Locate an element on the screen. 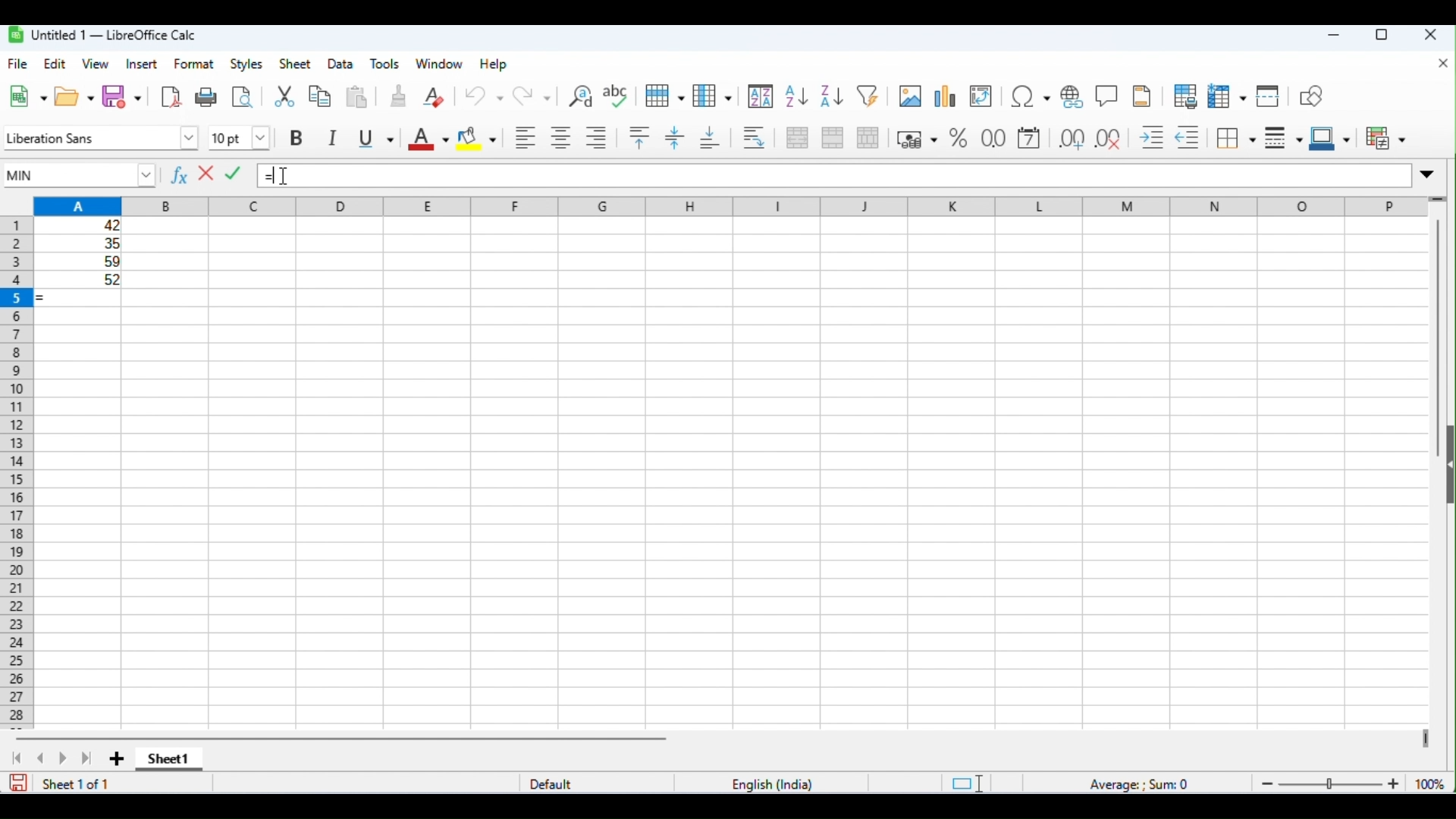 This screenshot has width=1456, height=819. align center is located at coordinates (560, 137).